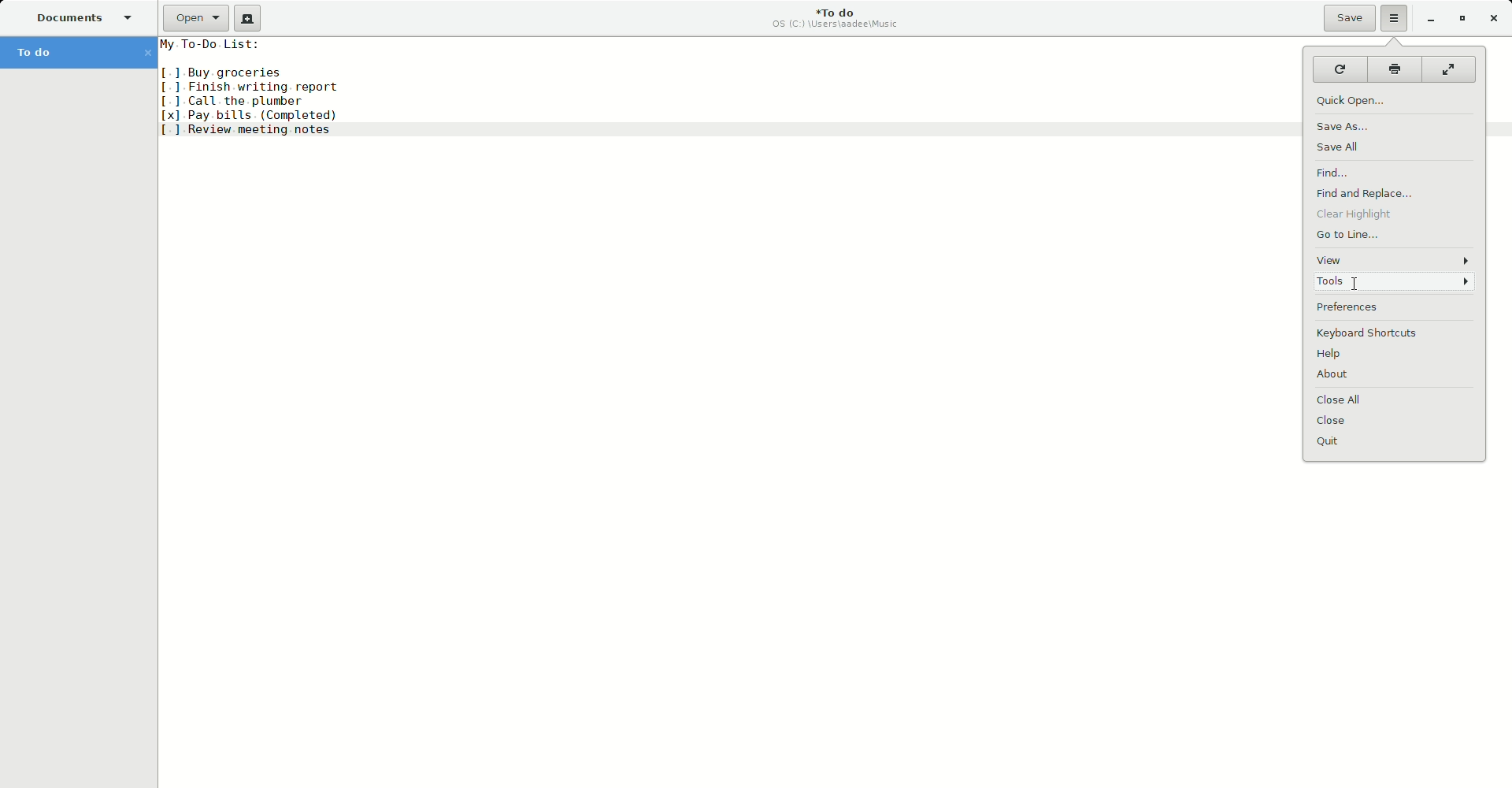 This screenshot has width=1512, height=788. I want to click on Quit, so click(1329, 444).